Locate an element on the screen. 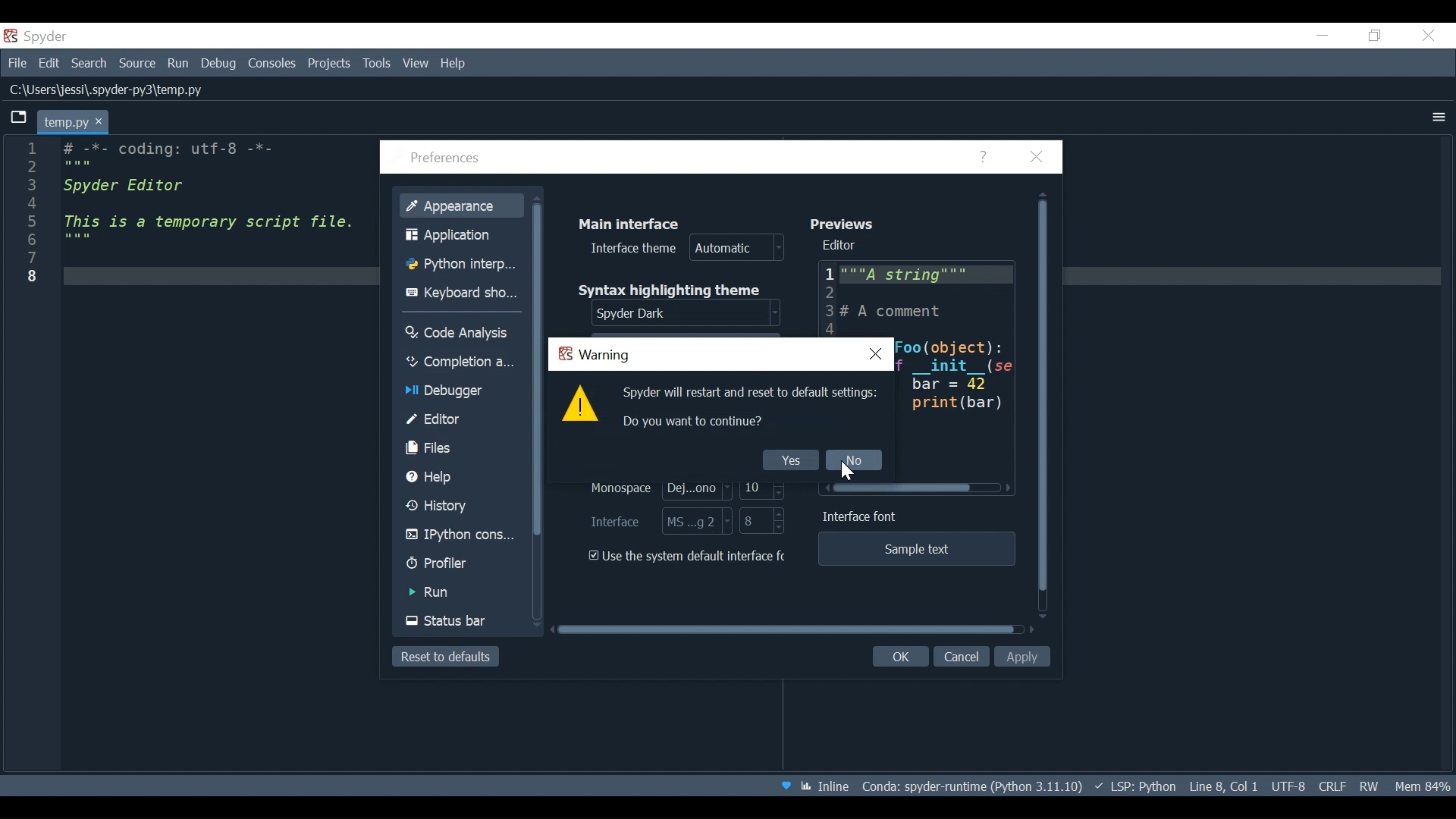 The width and height of the screenshot is (1456, 819). Current Tab is located at coordinates (74, 121).